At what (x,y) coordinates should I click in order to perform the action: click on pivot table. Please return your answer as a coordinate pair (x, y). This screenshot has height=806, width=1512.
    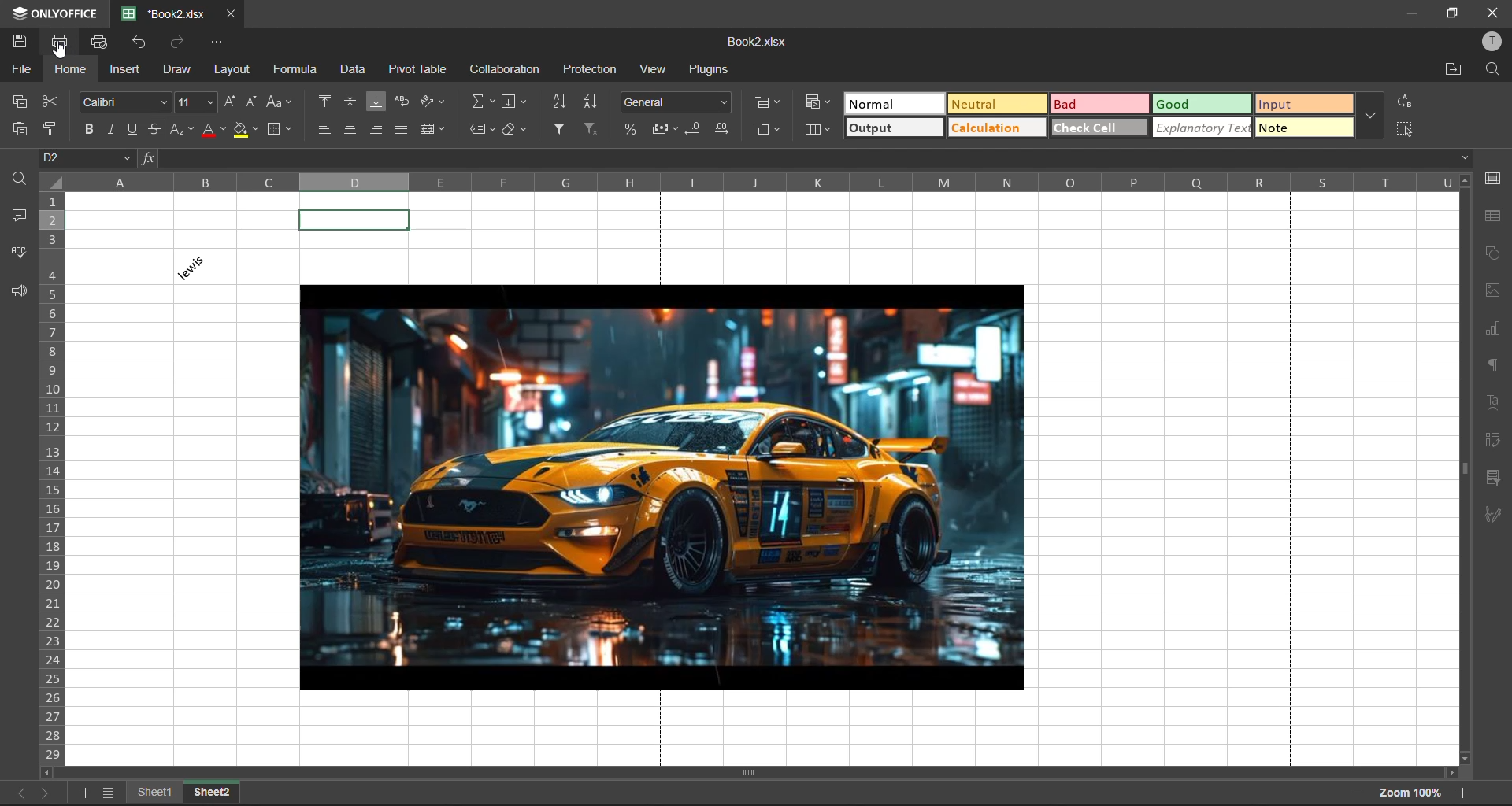
    Looking at the image, I should click on (421, 68).